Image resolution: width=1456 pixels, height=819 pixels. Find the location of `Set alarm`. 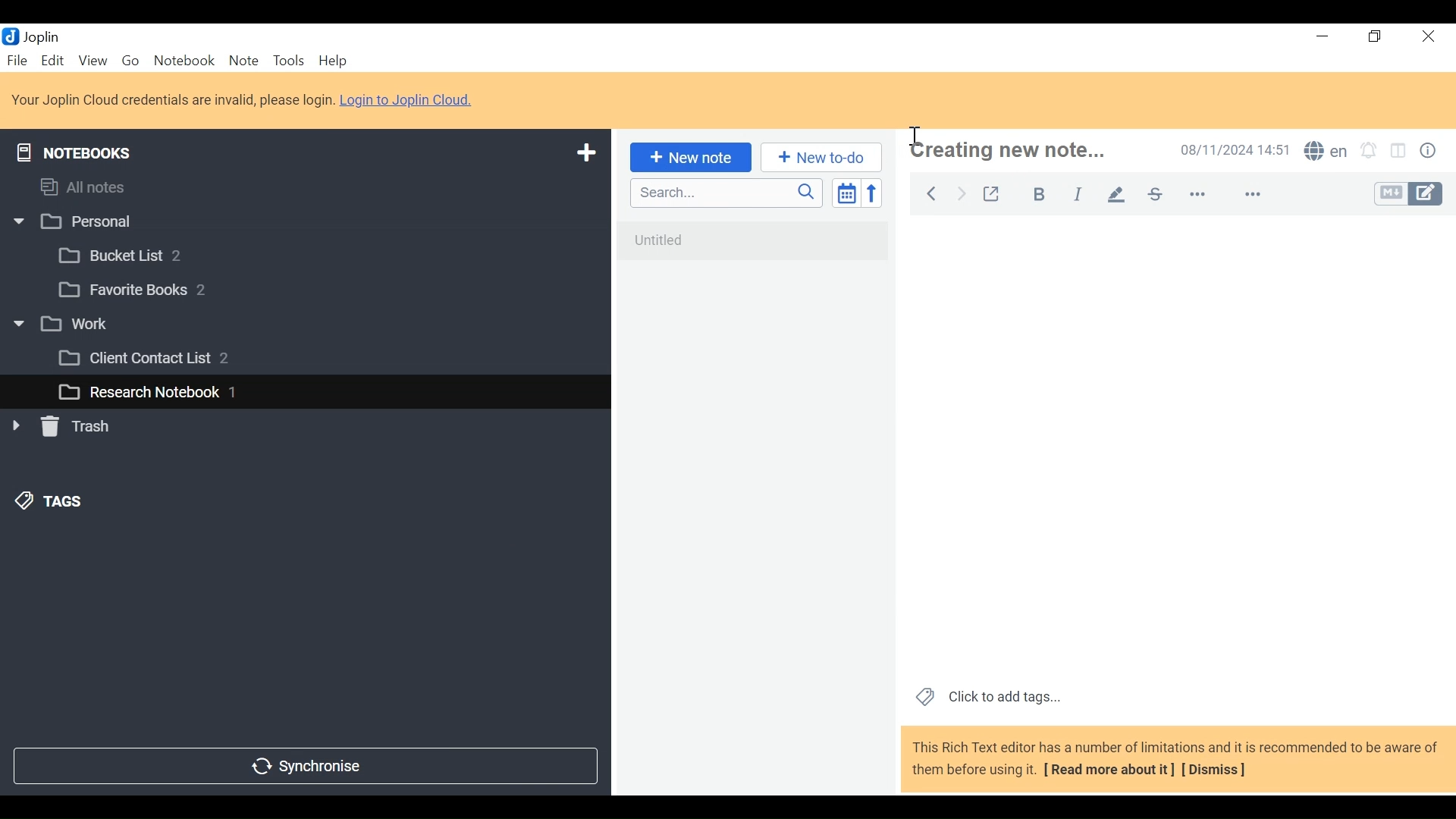

Set alarm is located at coordinates (1369, 152).